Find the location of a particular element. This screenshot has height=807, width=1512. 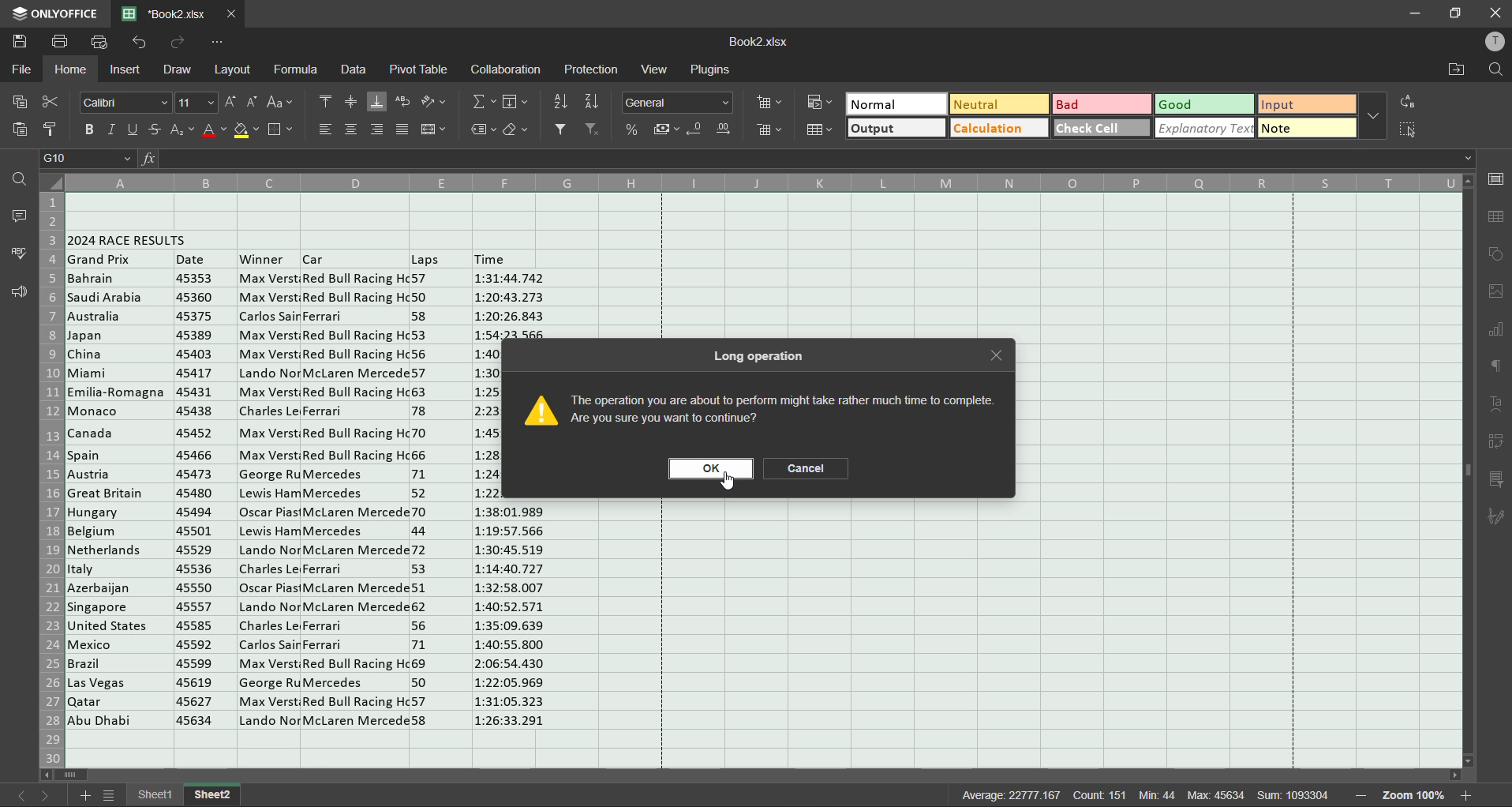

number format is located at coordinates (678, 103).